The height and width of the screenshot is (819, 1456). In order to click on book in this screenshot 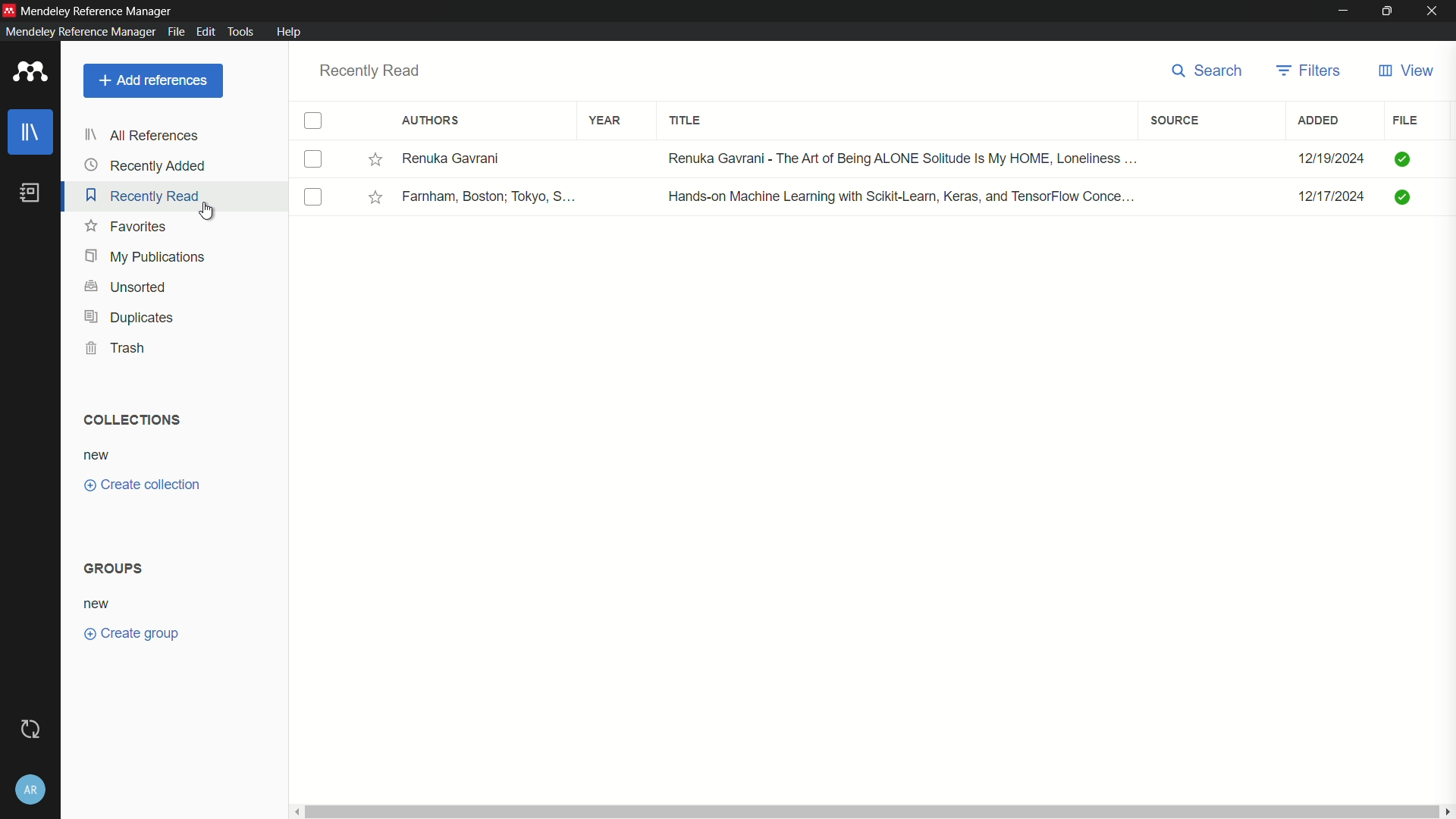, I will do `click(30, 192)`.